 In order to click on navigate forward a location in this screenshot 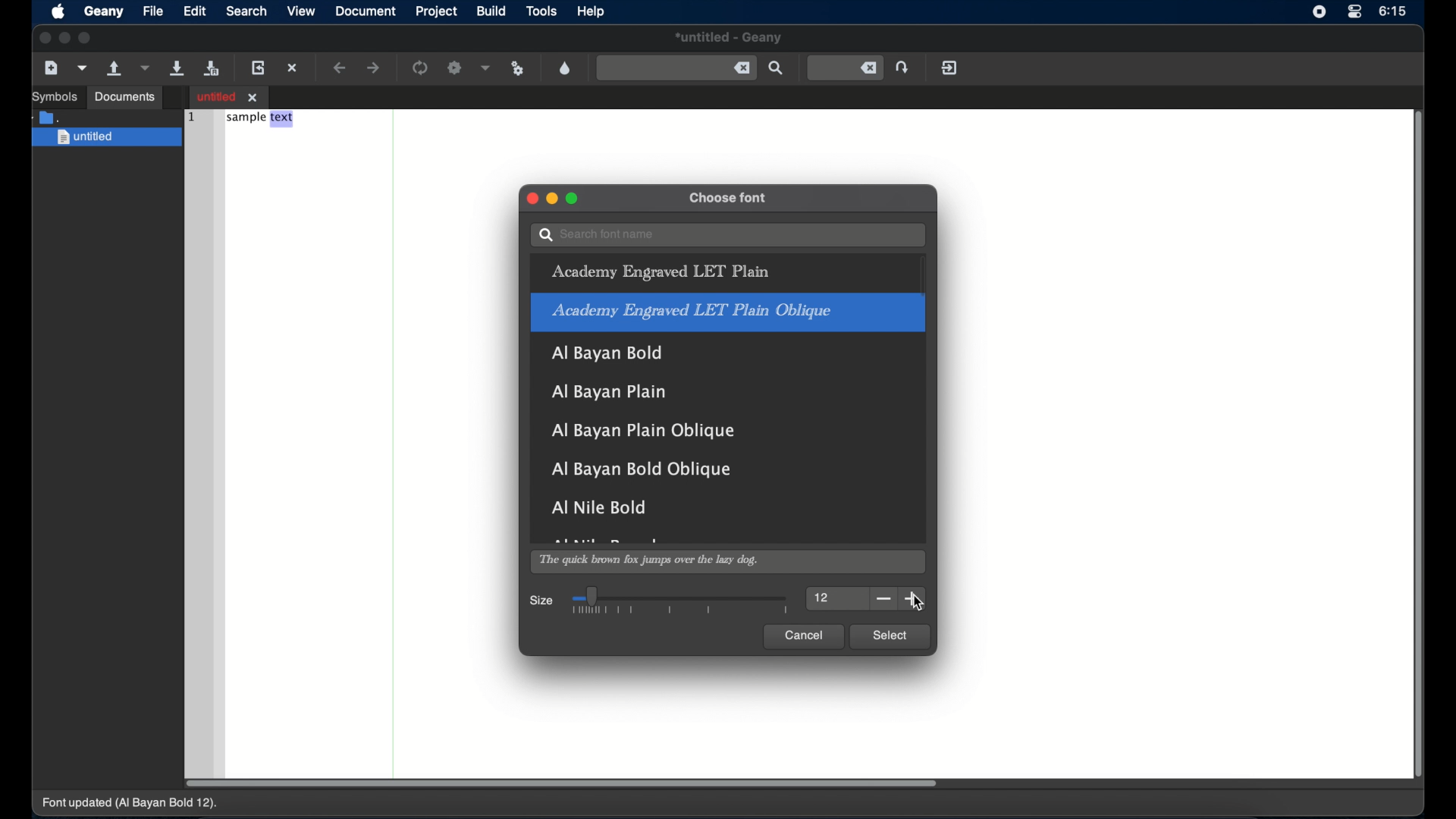, I will do `click(375, 67)`.